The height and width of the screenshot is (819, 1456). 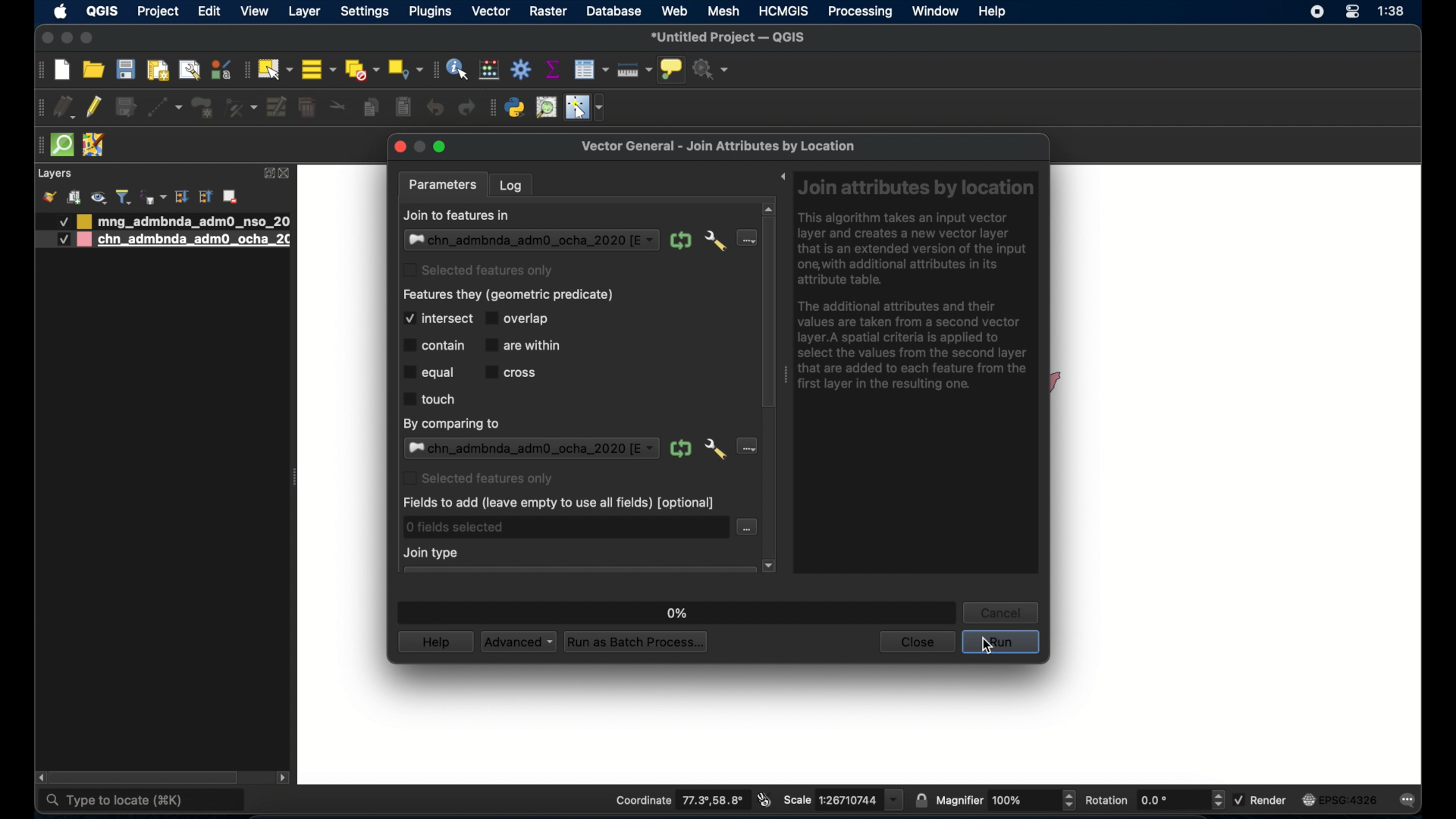 I want to click on raster, so click(x=550, y=12).